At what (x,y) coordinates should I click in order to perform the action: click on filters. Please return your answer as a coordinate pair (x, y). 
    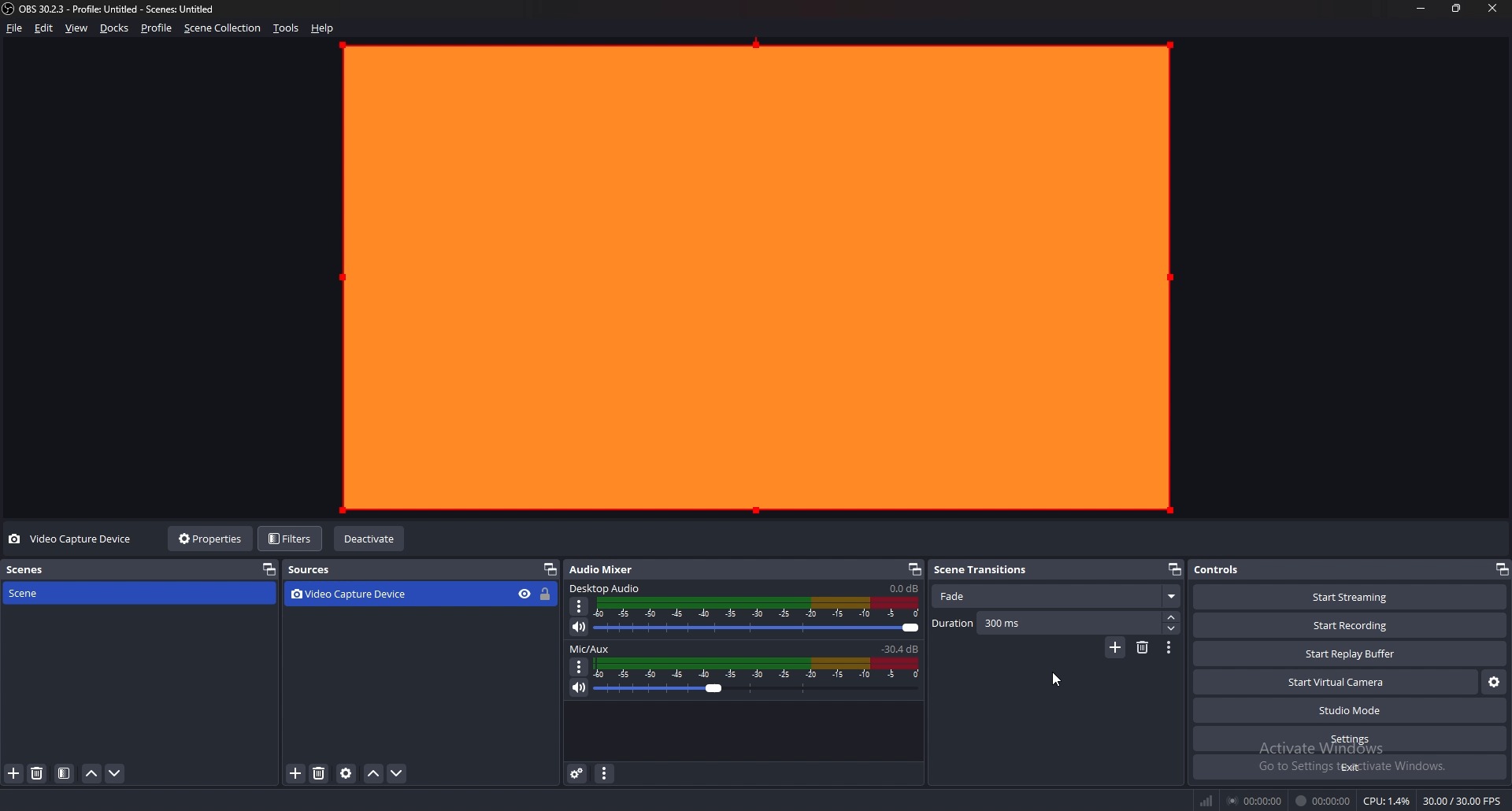
    Looking at the image, I should click on (291, 538).